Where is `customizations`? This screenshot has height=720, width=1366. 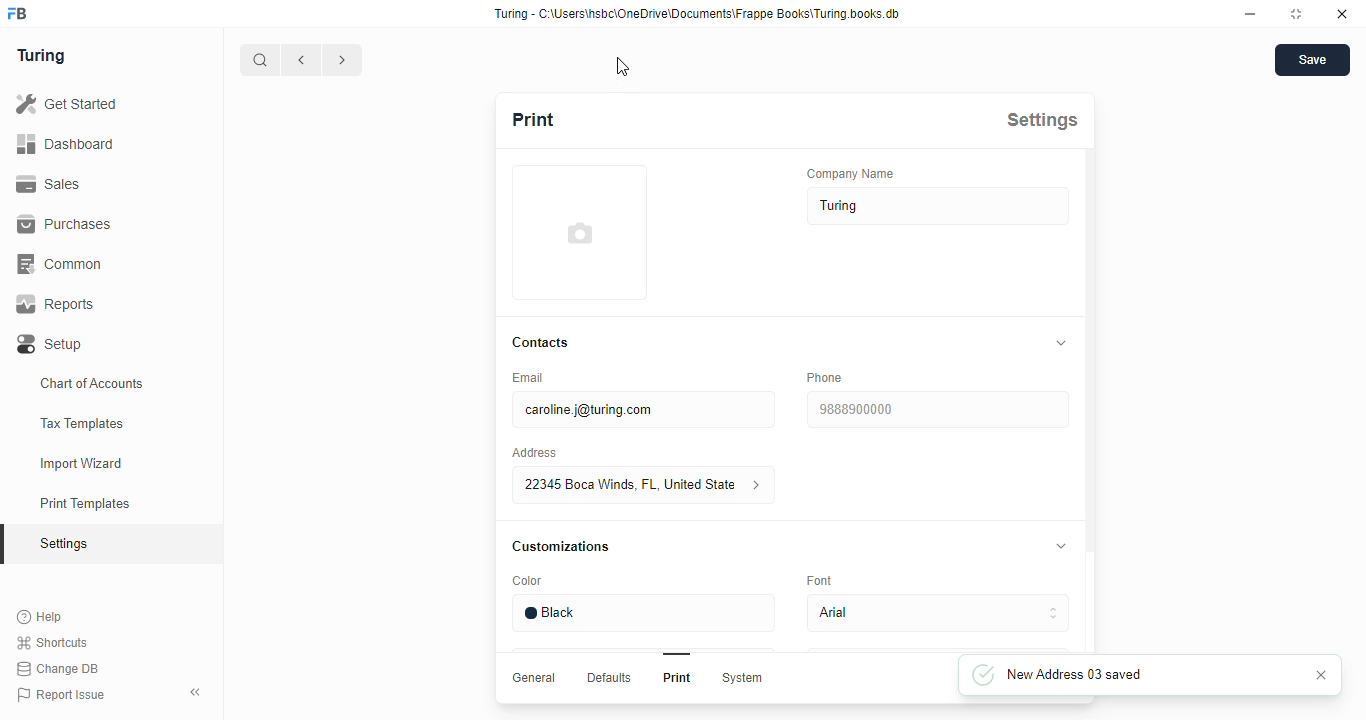
customizations is located at coordinates (560, 547).